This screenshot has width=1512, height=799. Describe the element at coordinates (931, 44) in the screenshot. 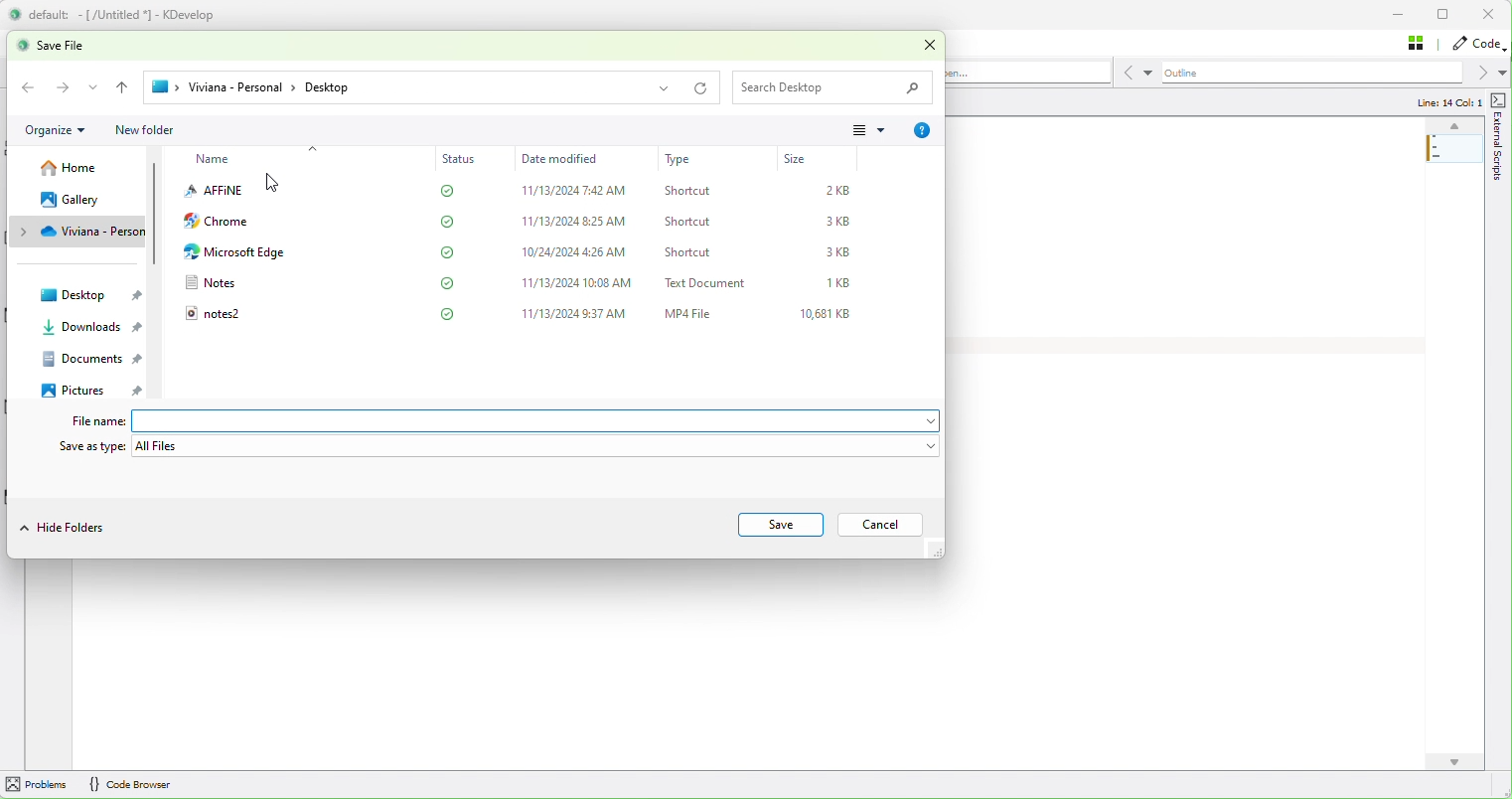

I see `Close` at that location.